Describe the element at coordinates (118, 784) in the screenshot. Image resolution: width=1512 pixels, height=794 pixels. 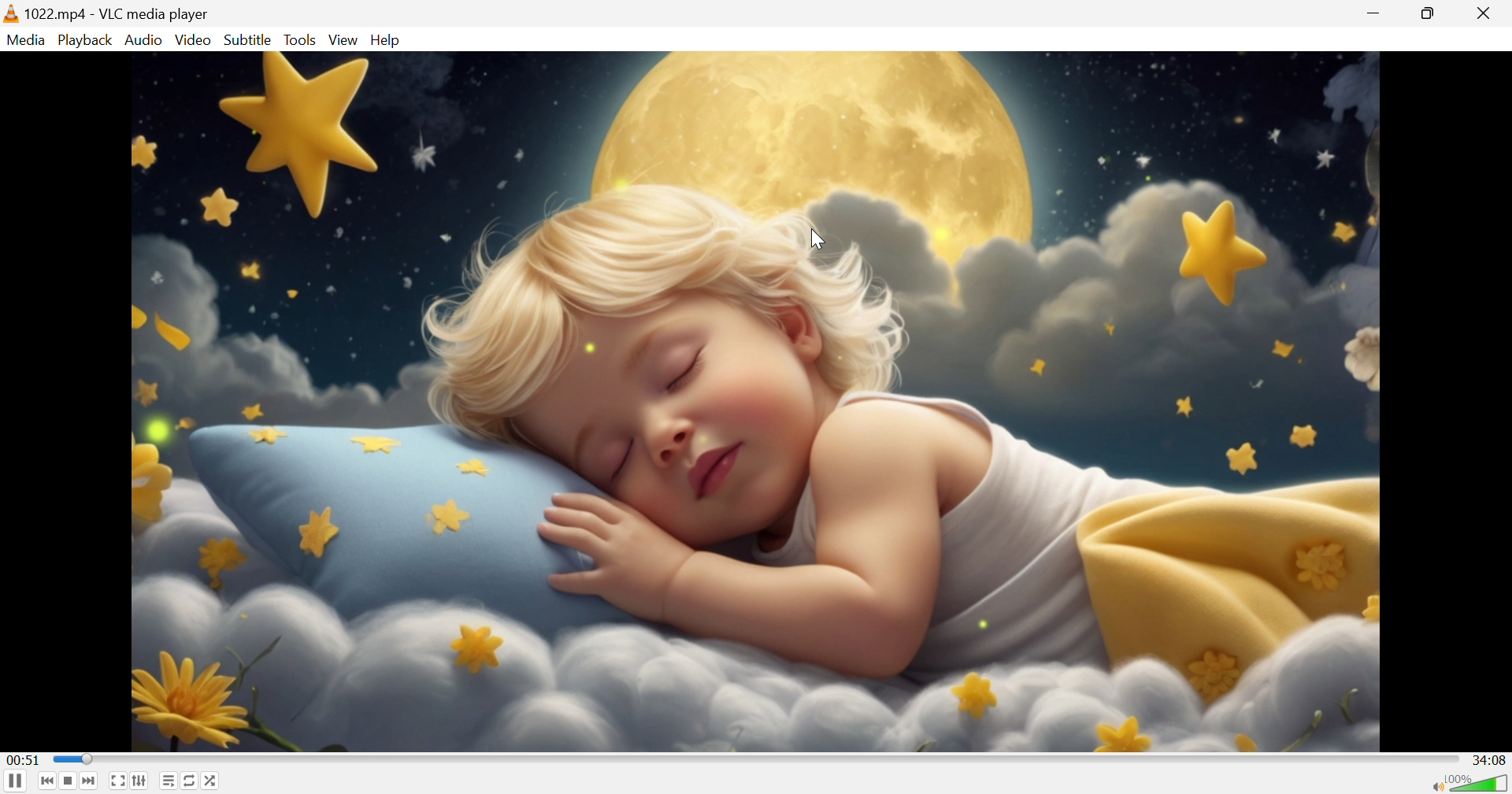
I see `Toggle the video in full screen` at that location.